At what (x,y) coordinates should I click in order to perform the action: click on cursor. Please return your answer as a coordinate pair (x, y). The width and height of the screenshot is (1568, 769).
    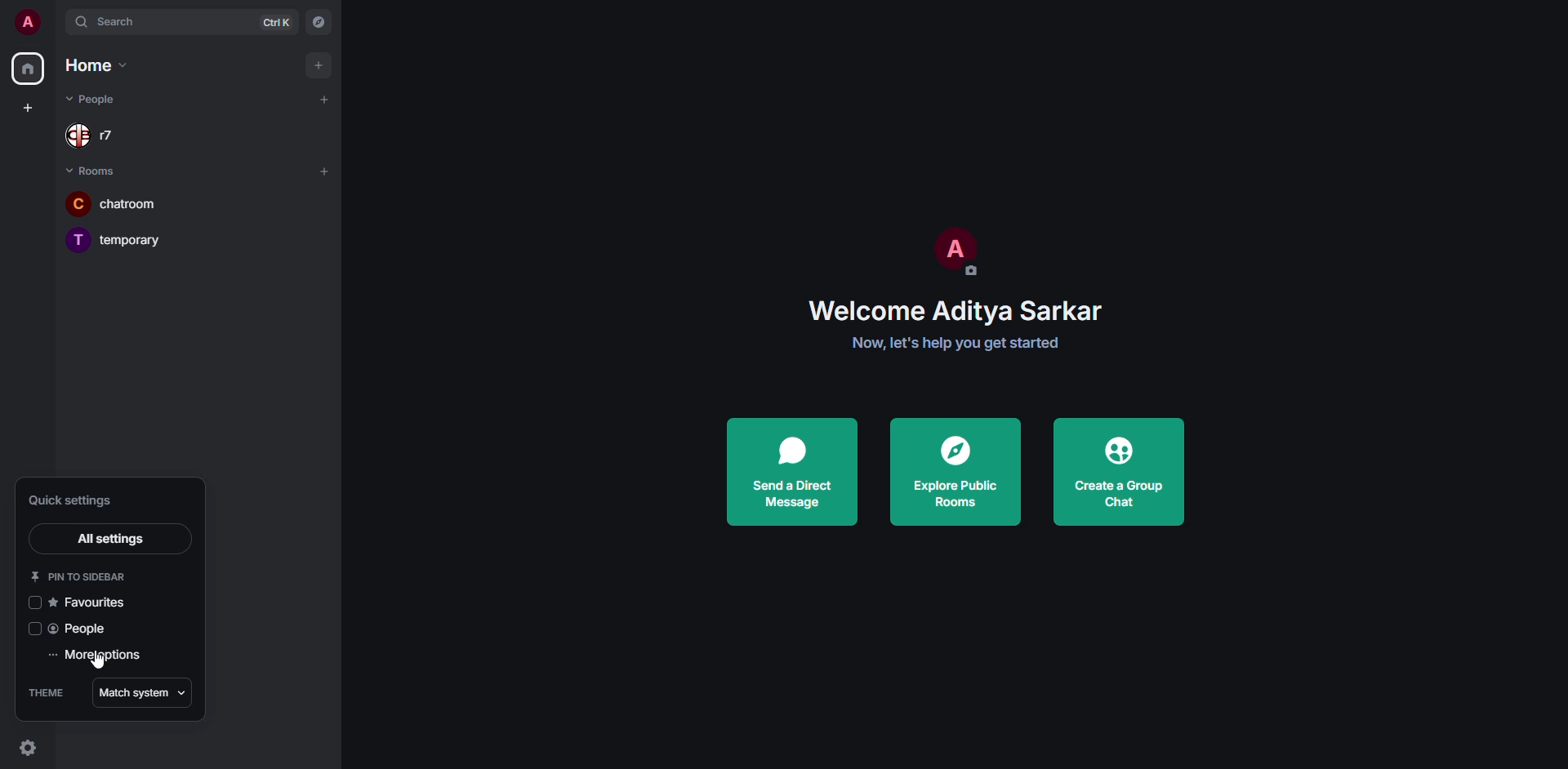
    Looking at the image, I should click on (96, 664).